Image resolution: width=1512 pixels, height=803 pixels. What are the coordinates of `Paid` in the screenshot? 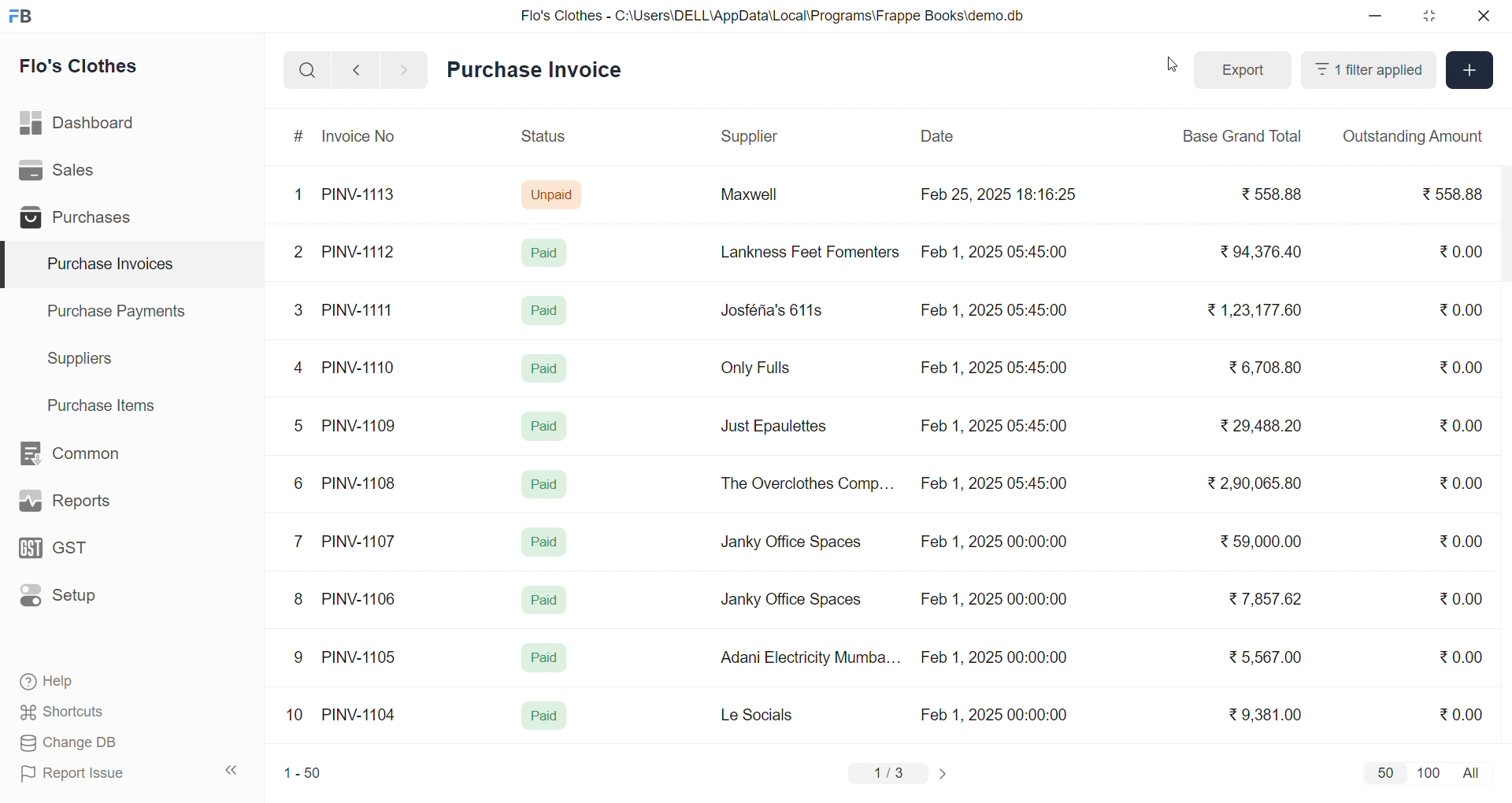 It's located at (545, 310).